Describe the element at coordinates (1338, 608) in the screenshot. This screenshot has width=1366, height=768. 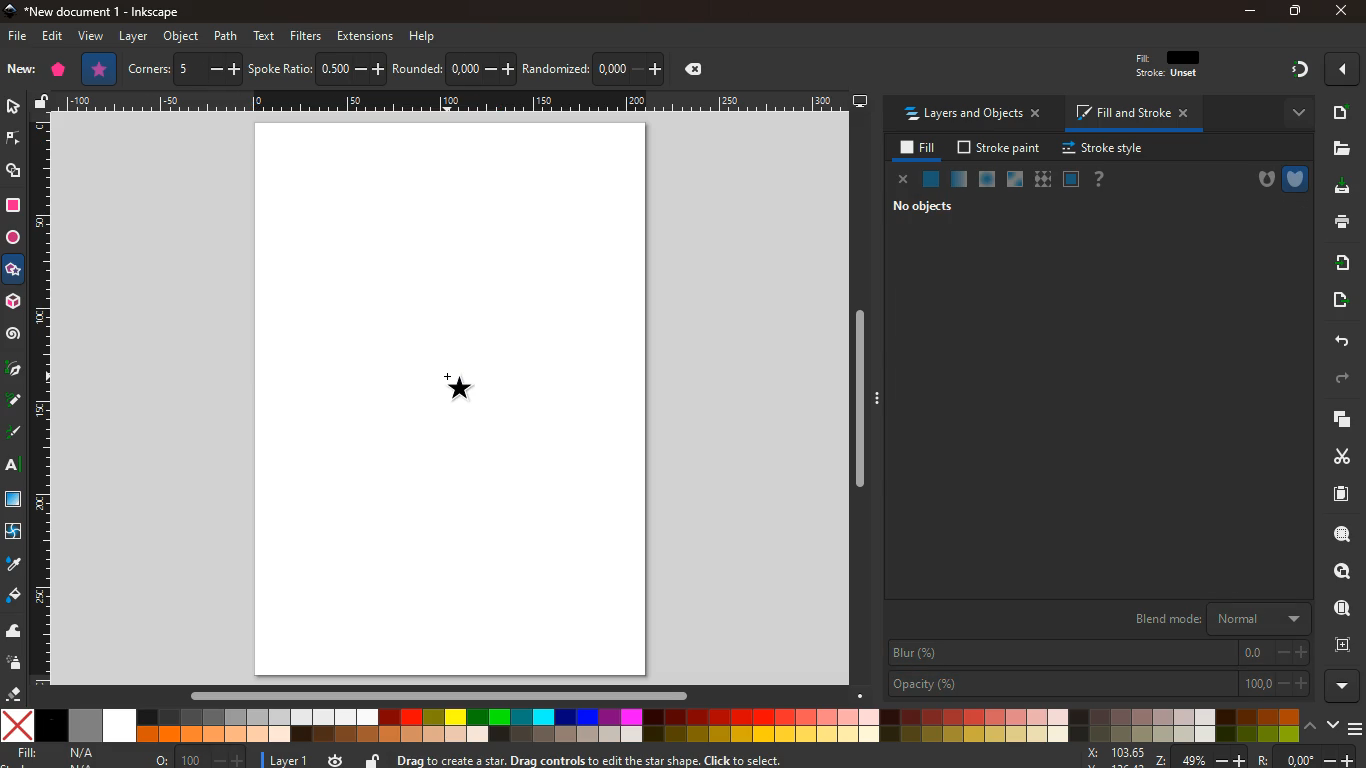
I see `find` at that location.